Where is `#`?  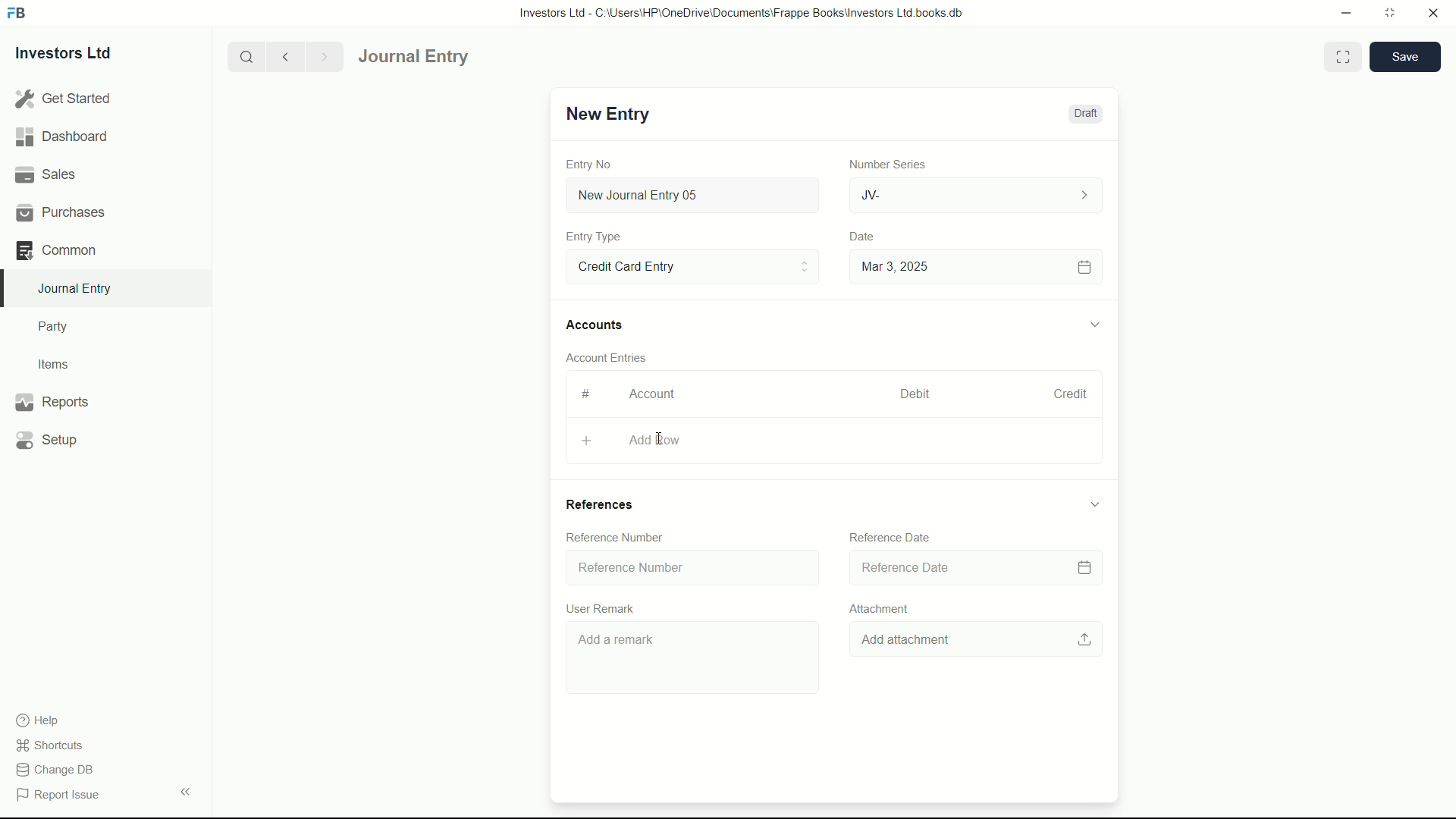
# is located at coordinates (587, 394).